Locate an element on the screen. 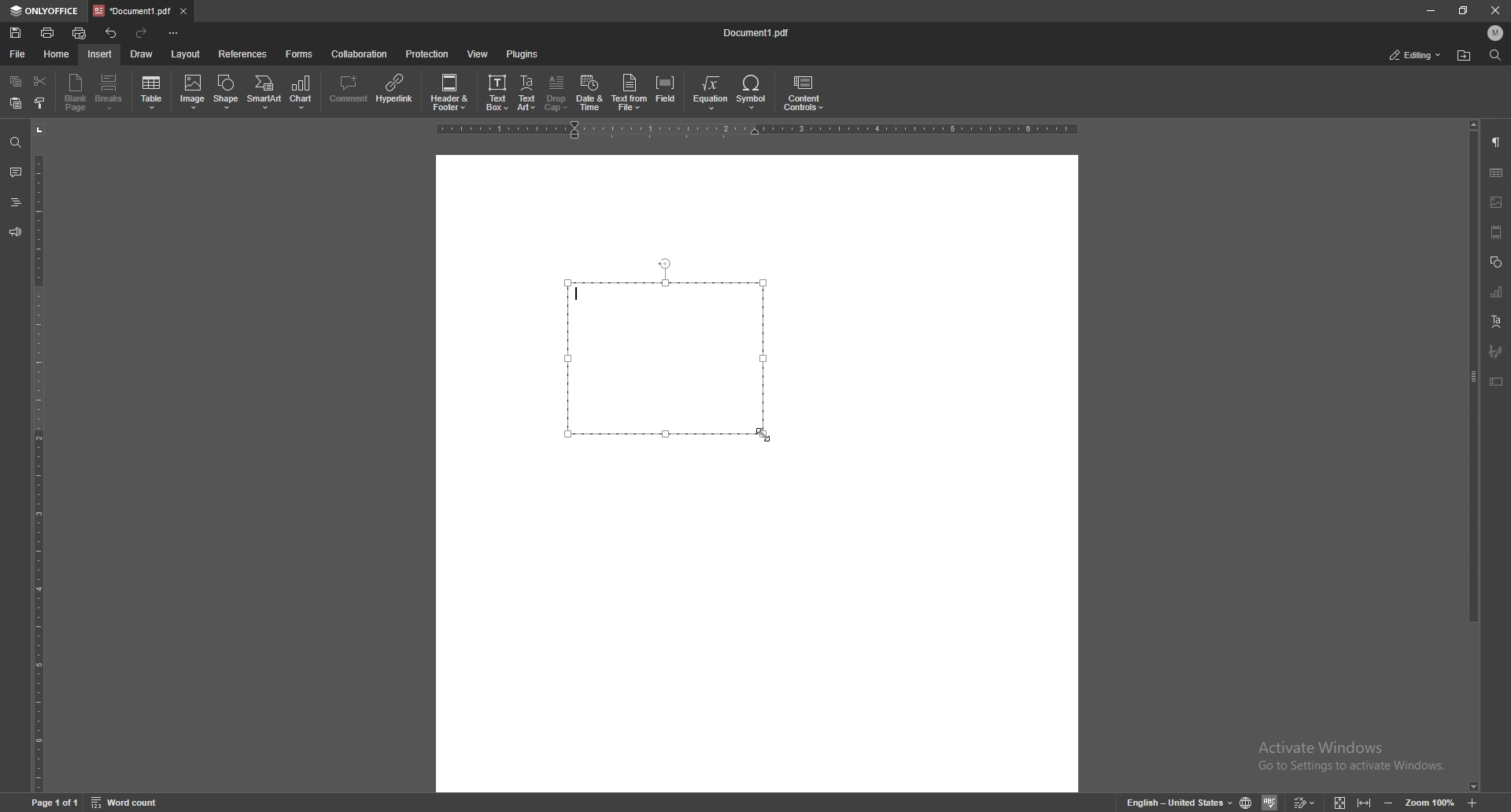 The width and height of the screenshot is (1511, 812). paste is located at coordinates (17, 104).